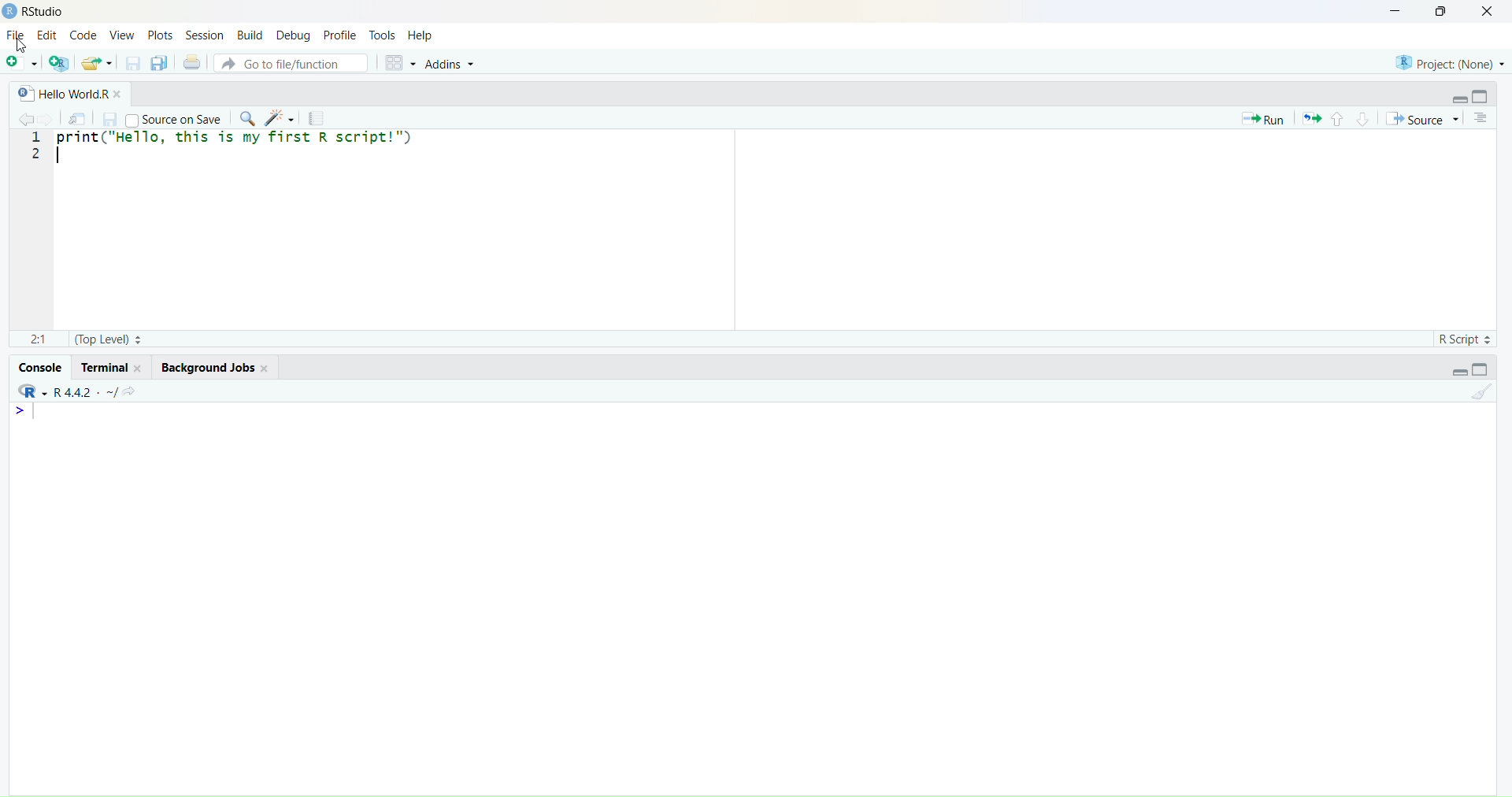 The image size is (1512, 797). What do you see at coordinates (294, 37) in the screenshot?
I see `Debug` at bounding box center [294, 37].